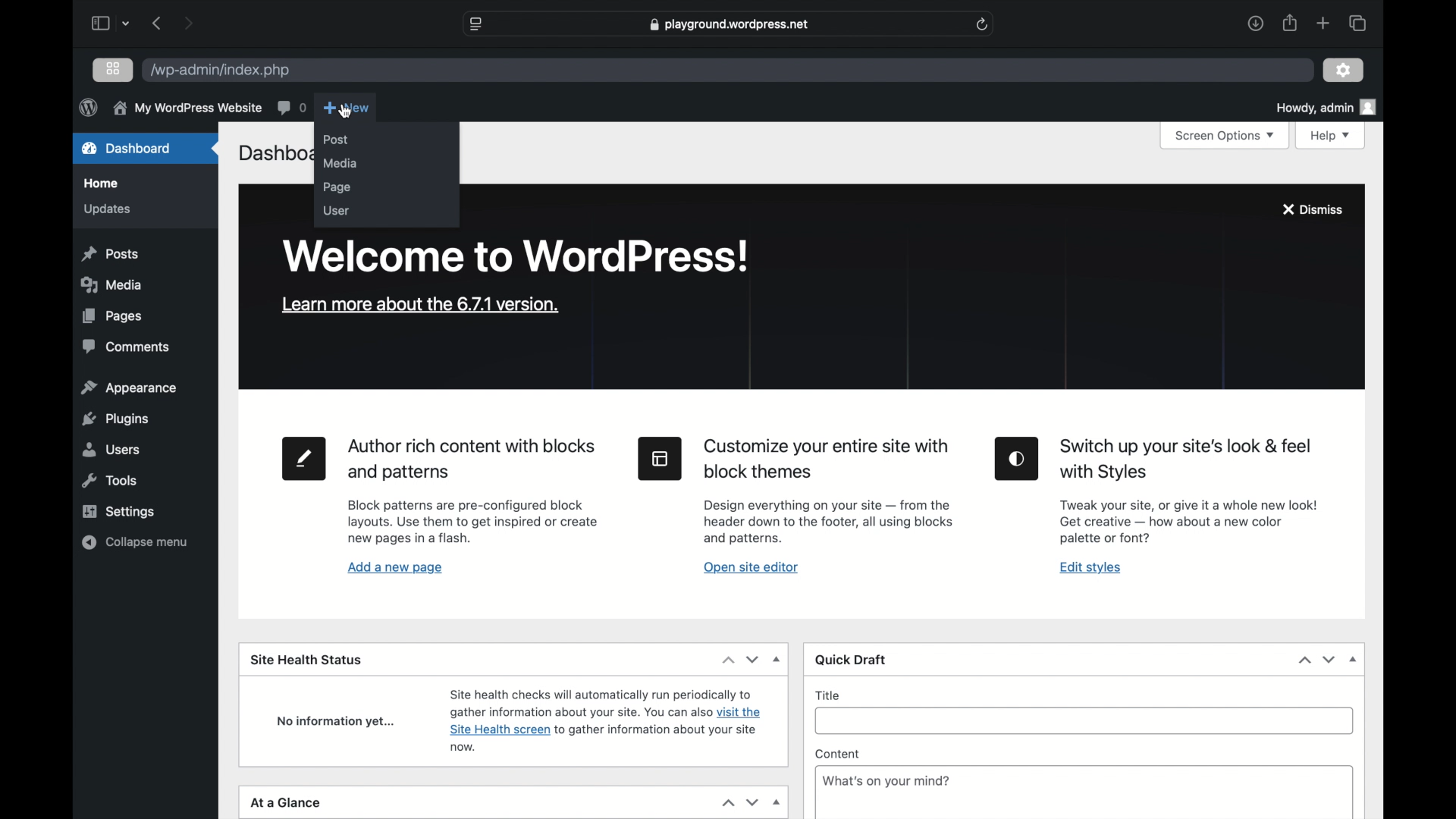 Image resolution: width=1456 pixels, height=819 pixels. I want to click on comments, so click(127, 347).